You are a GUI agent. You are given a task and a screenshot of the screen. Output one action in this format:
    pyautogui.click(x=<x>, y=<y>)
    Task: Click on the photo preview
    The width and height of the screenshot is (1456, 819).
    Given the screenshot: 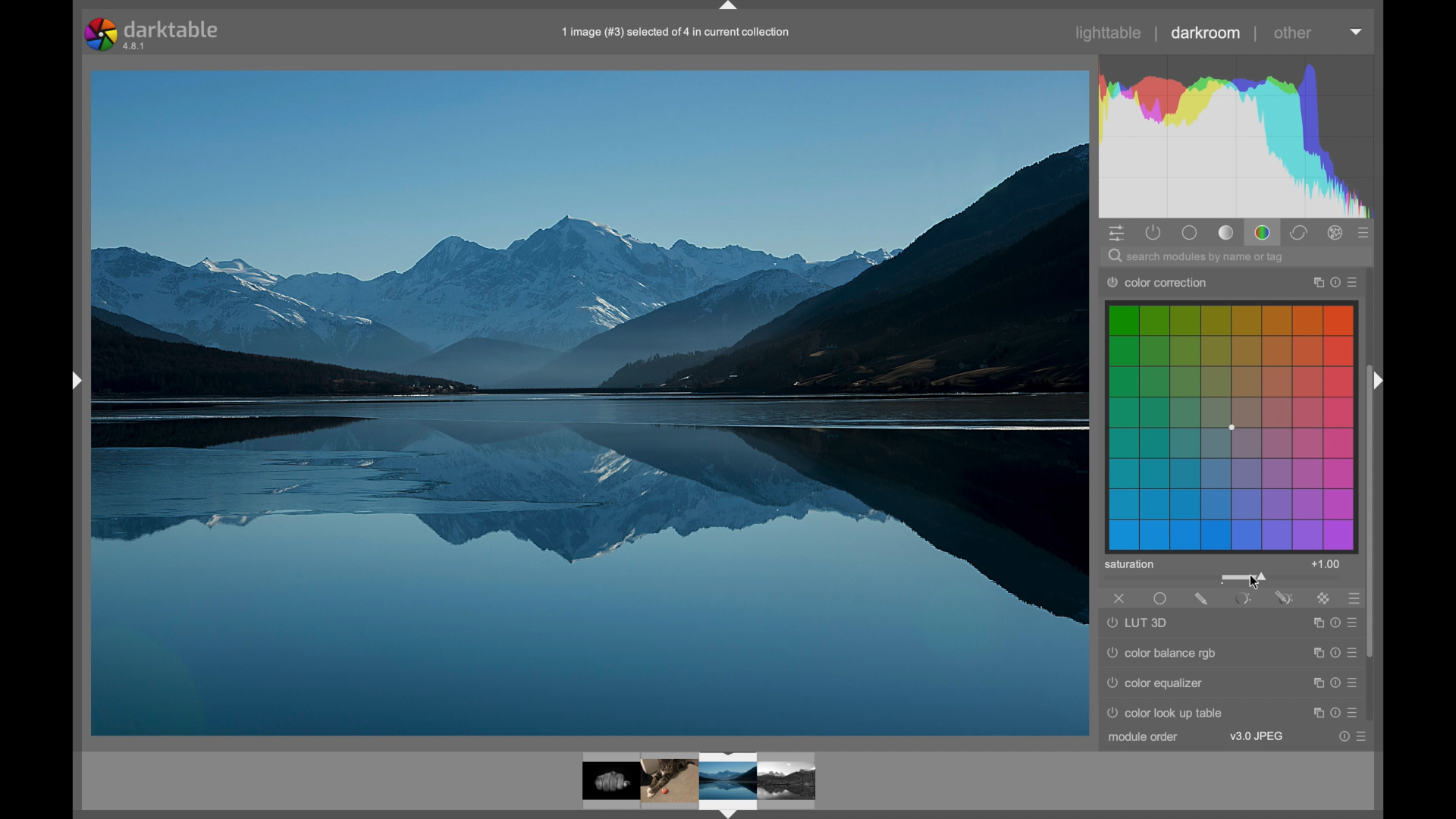 What is the action you would take?
    pyautogui.click(x=601, y=783)
    